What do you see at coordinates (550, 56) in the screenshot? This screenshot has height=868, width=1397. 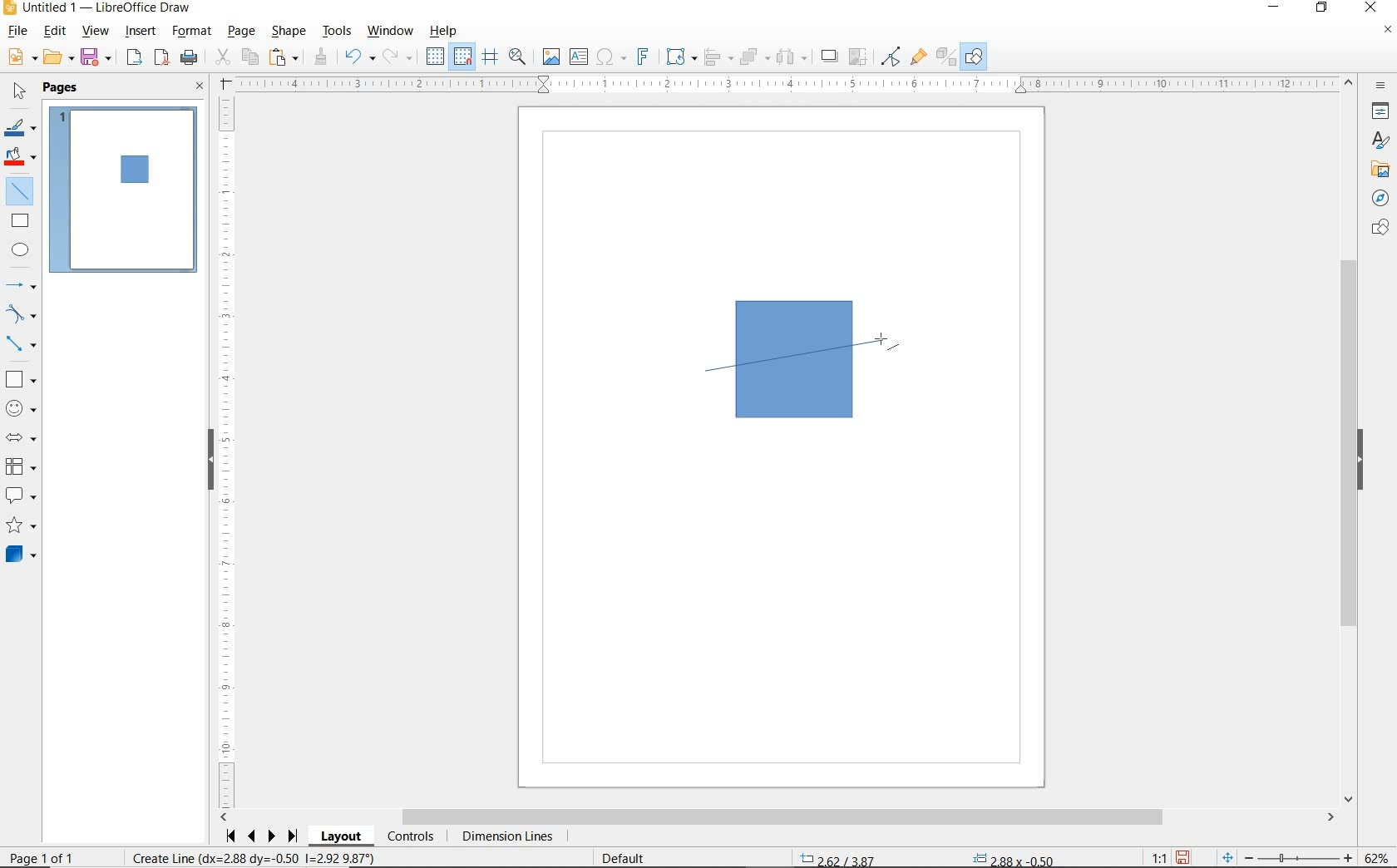 I see `IMAGE` at bounding box center [550, 56].